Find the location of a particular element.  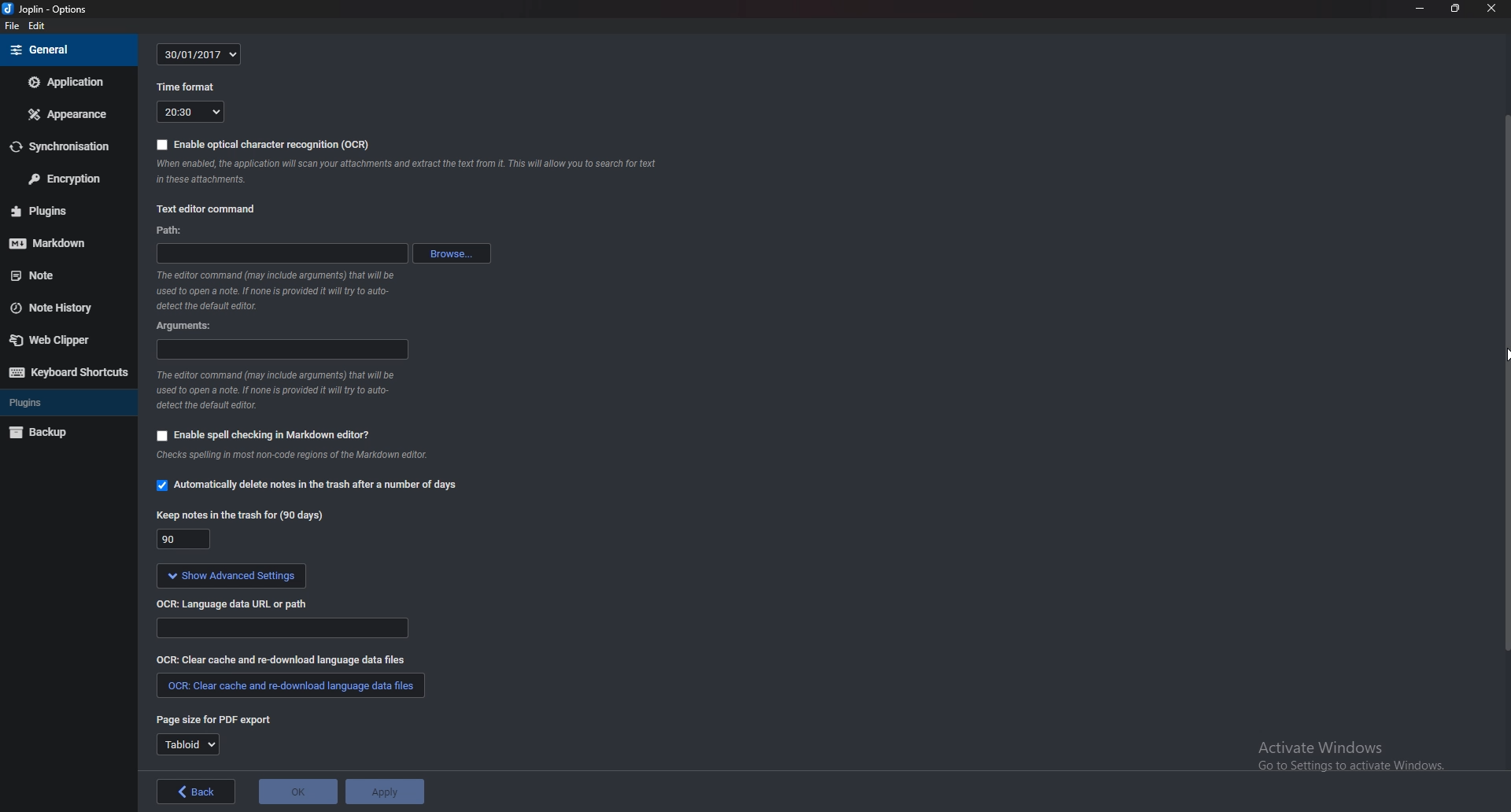

path is located at coordinates (175, 231).